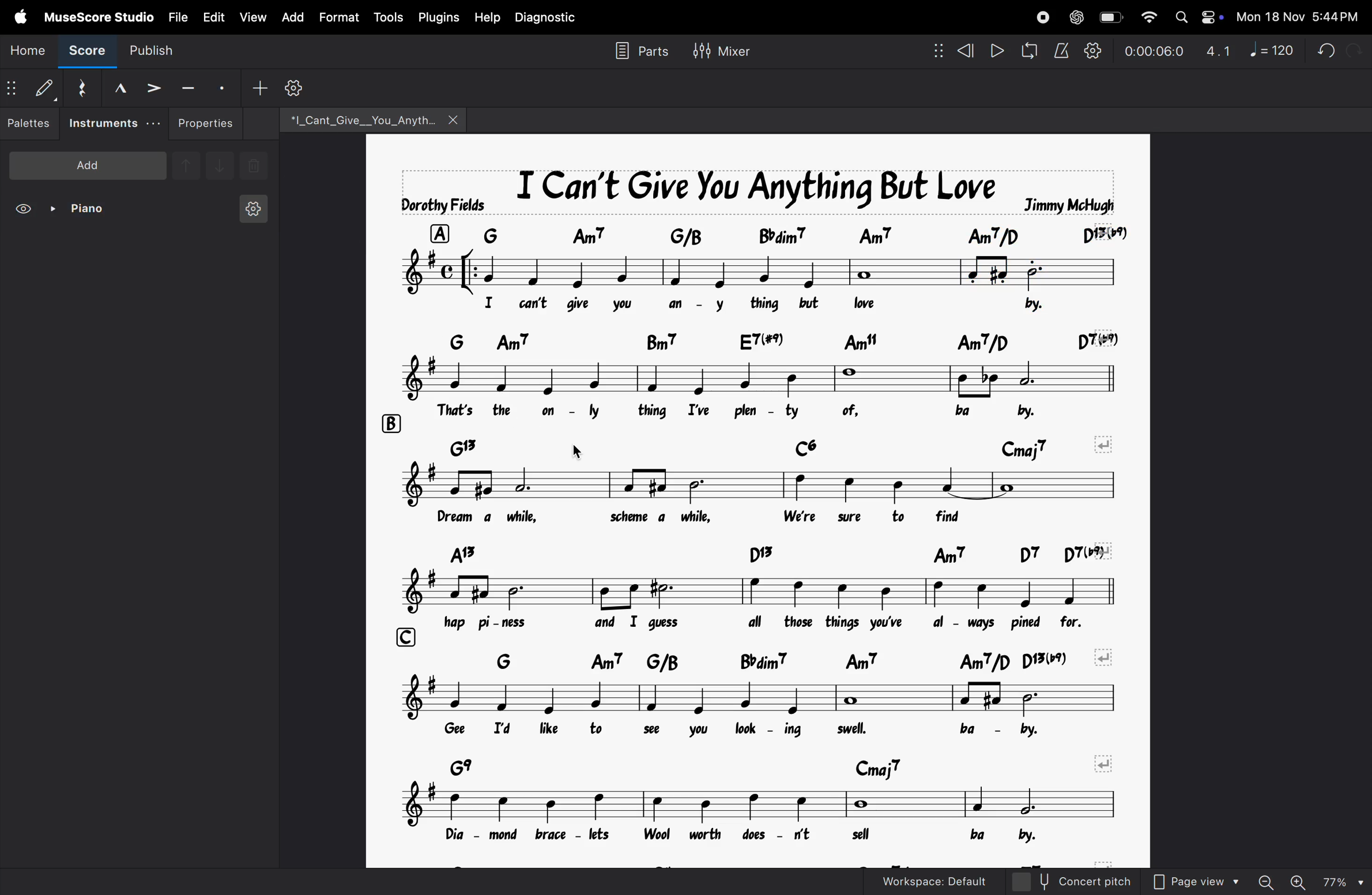 The width and height of the screenshot is (1372, 895). Describe the element at coordinates (772, 764) in the screenshot. I see `chord symbols` at that location.